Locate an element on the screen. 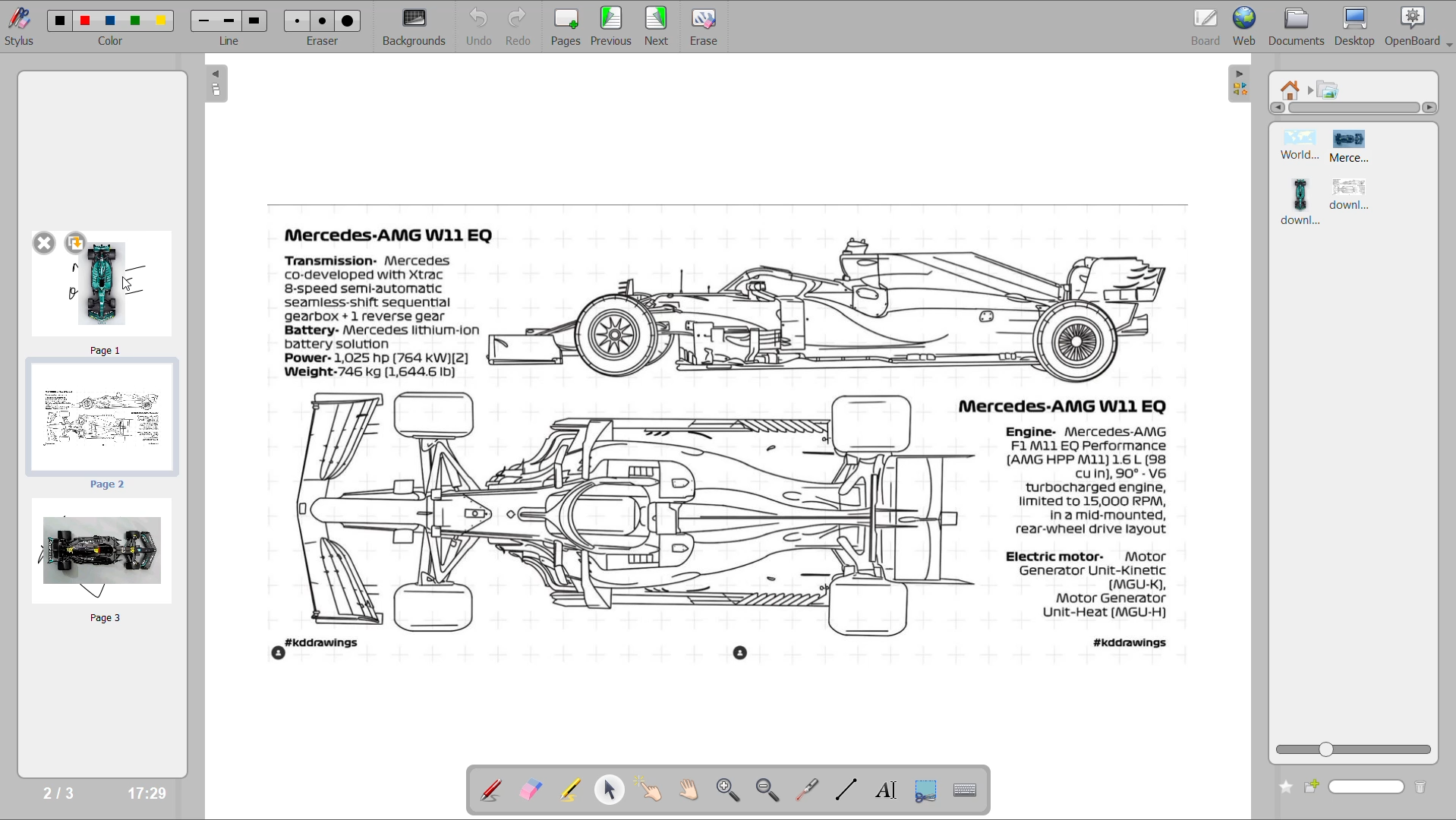 The image size is (1456, 820). page 1 is located at coordinates (115, 292).